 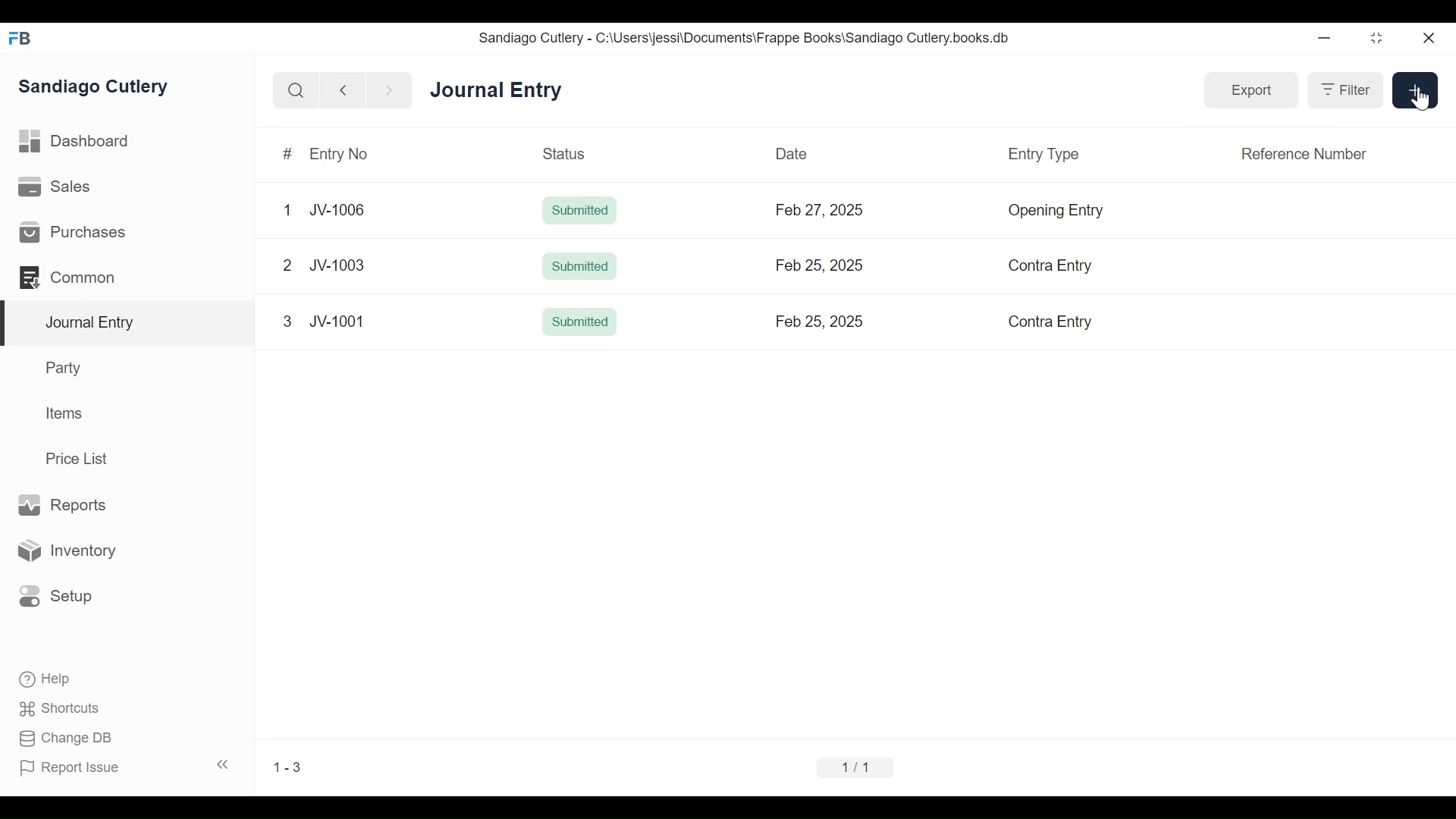 What do you see at coordinates (19, 38) in the screenshot?
I see `FrappeBooks logo` at bounding box center [19, 38].